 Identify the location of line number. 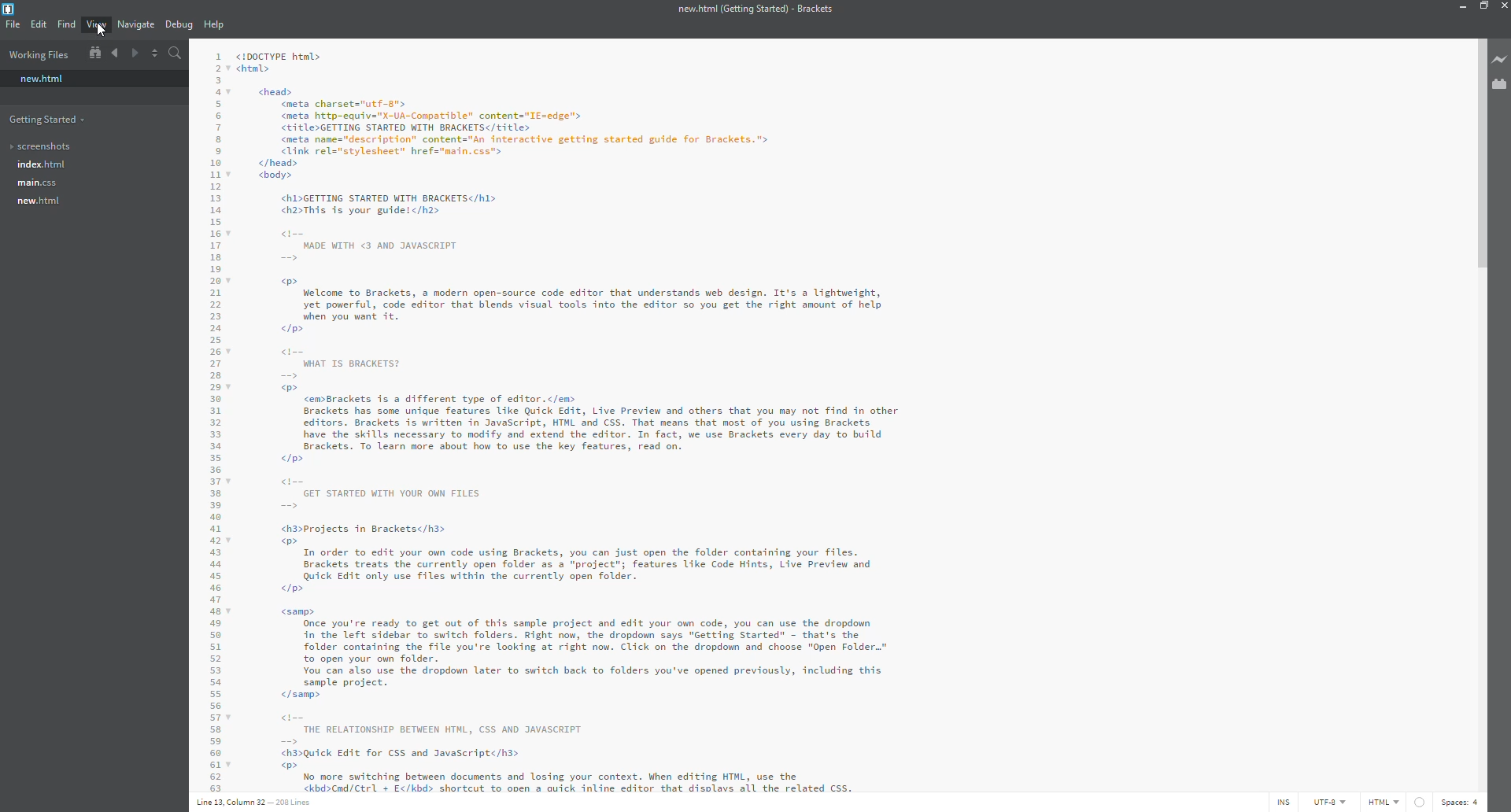
(256, 802).